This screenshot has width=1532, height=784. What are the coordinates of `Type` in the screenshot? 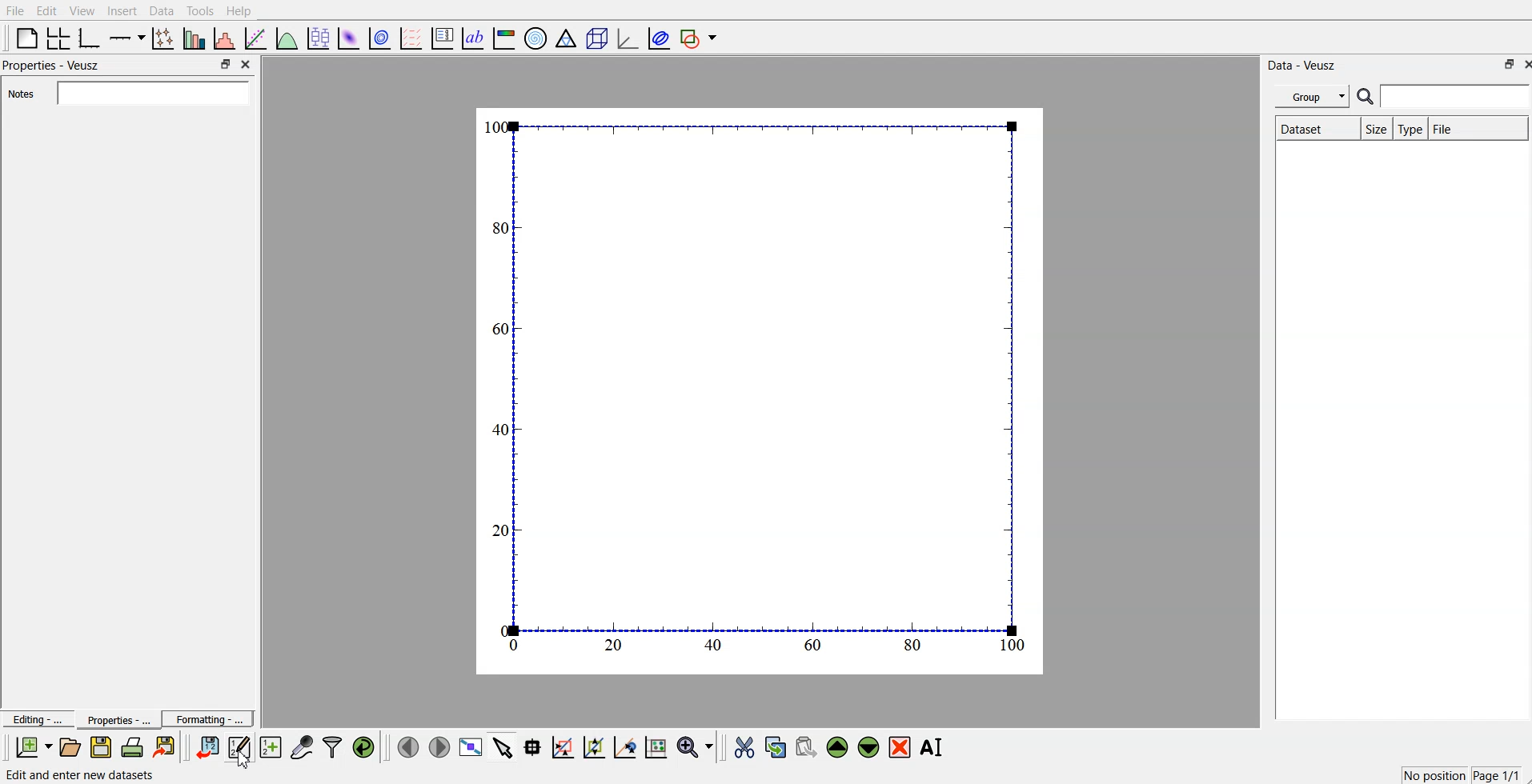 It's located at (1410, 129).